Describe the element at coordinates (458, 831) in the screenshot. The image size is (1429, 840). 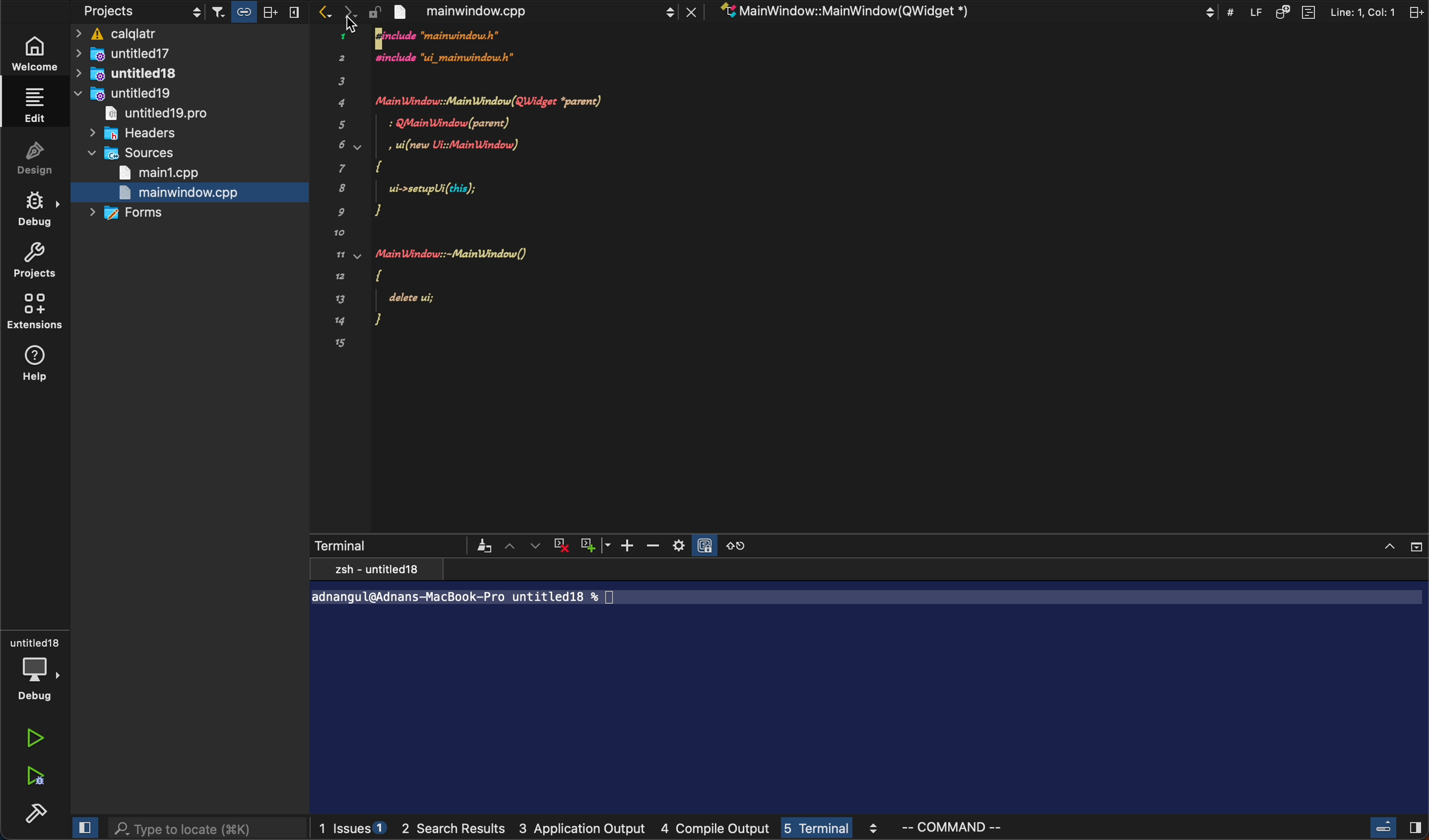
I see `2 search result` at that location.